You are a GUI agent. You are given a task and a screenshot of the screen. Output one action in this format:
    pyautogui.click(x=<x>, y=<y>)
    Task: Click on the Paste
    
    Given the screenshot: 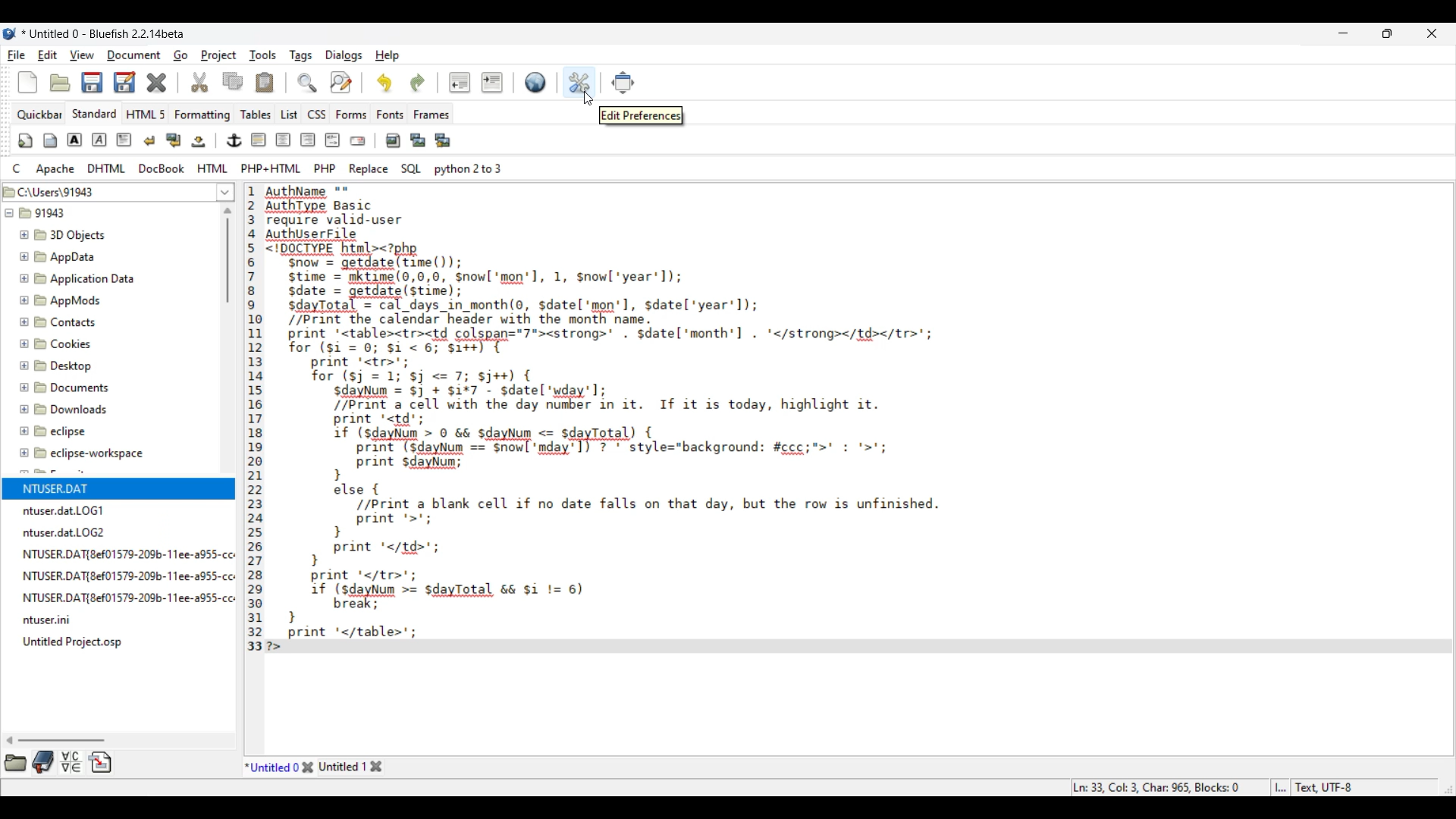 What is the action you would take?
    pyautogui.click(x=265, y=83)
    